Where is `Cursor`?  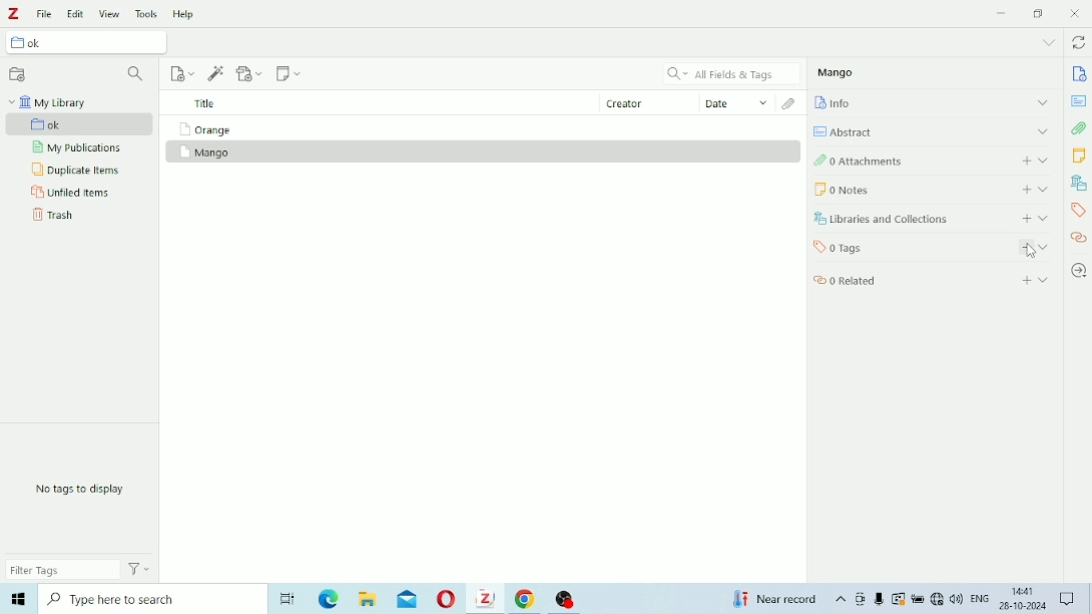
Cursor is located at coordinates (1030, 251).